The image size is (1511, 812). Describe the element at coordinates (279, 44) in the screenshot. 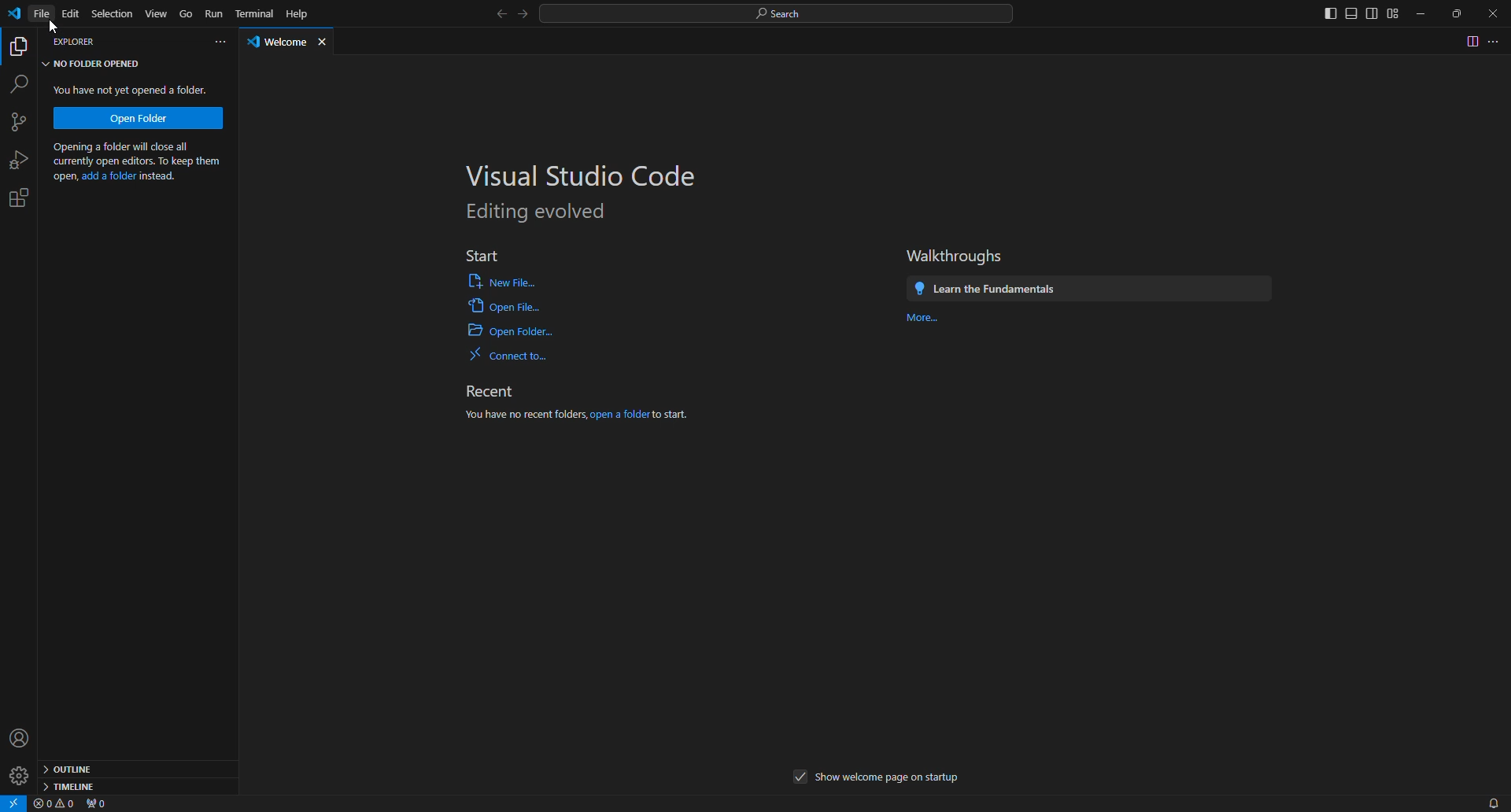

I see `welcome` at that location.